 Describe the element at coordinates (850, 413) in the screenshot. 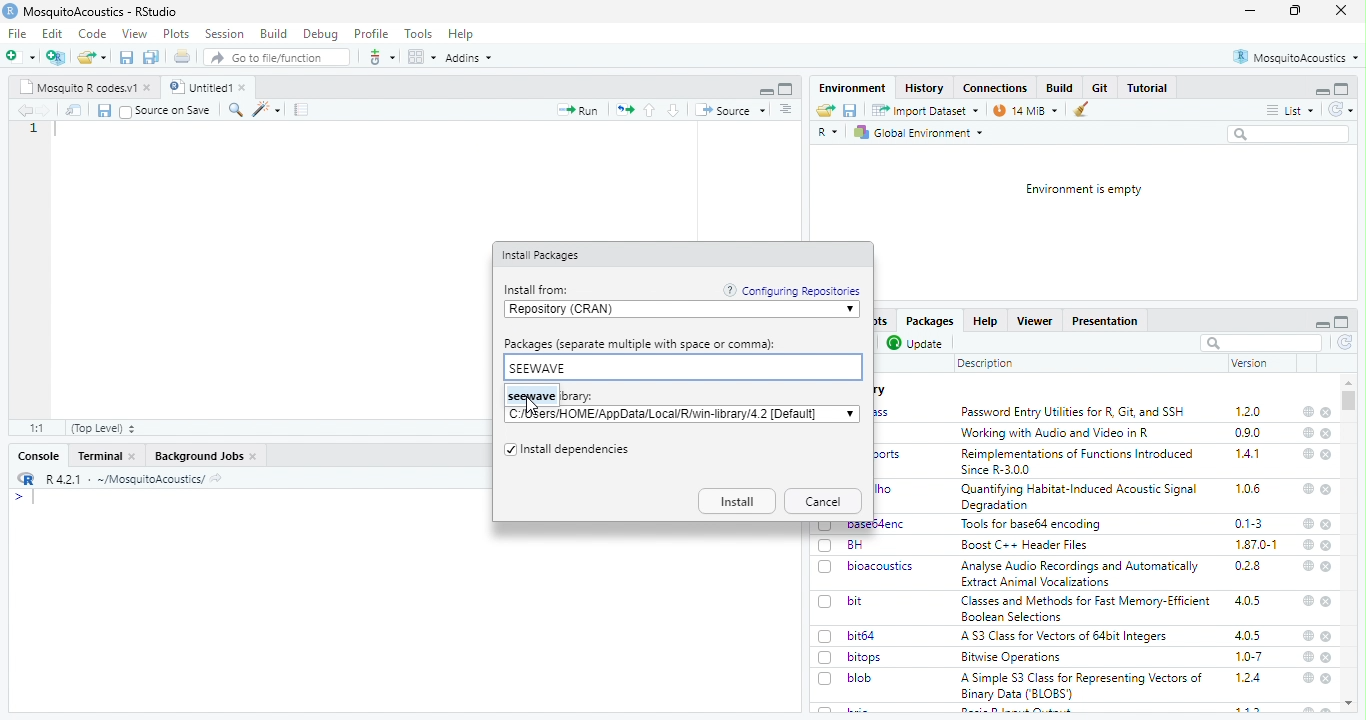

I see `Drop-down ` at that location.